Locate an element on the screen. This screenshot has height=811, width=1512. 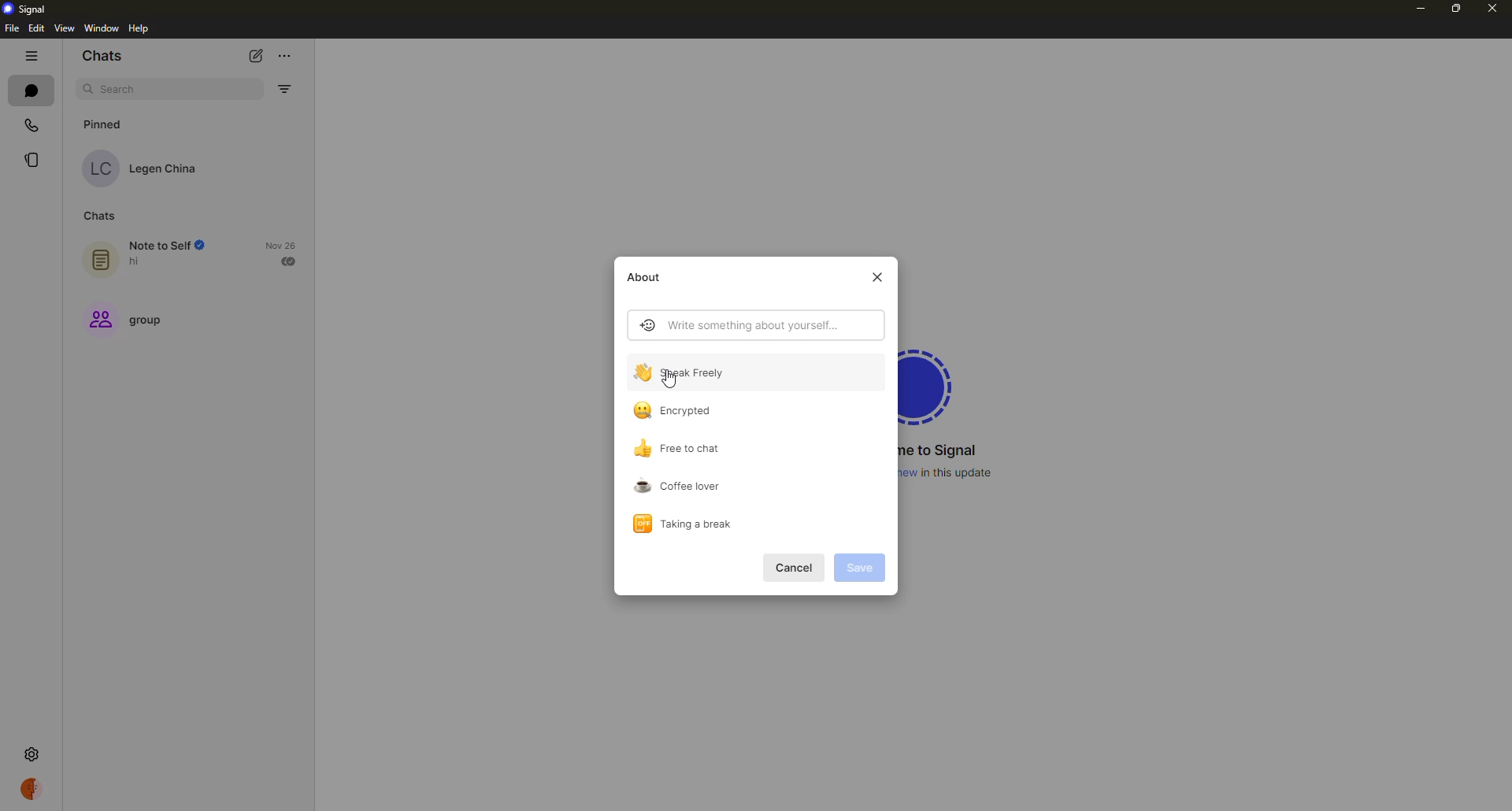
stories is located at coordinates (33, 159).